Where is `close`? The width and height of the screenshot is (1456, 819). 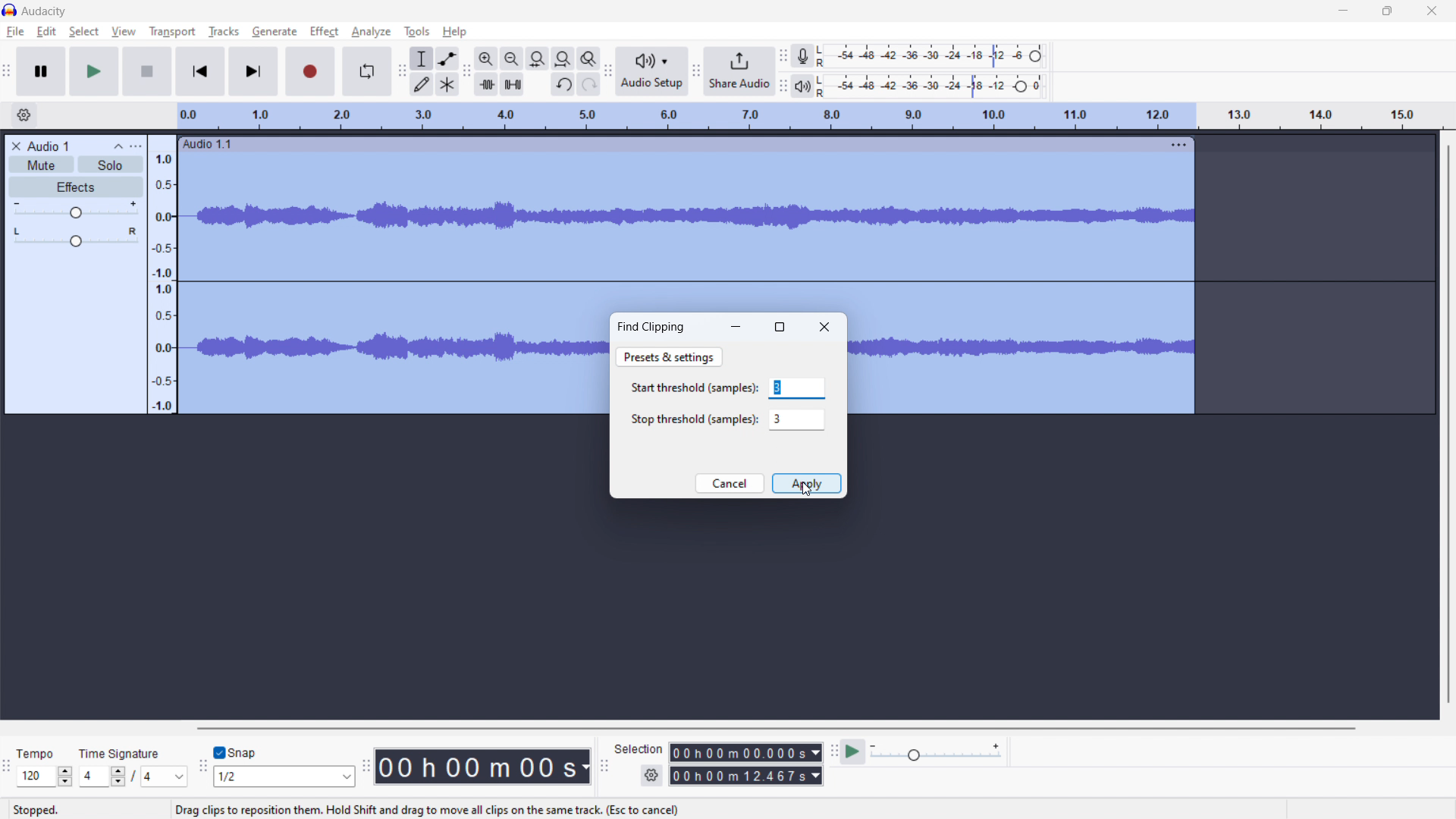 close is located at coordinates (825, 328).